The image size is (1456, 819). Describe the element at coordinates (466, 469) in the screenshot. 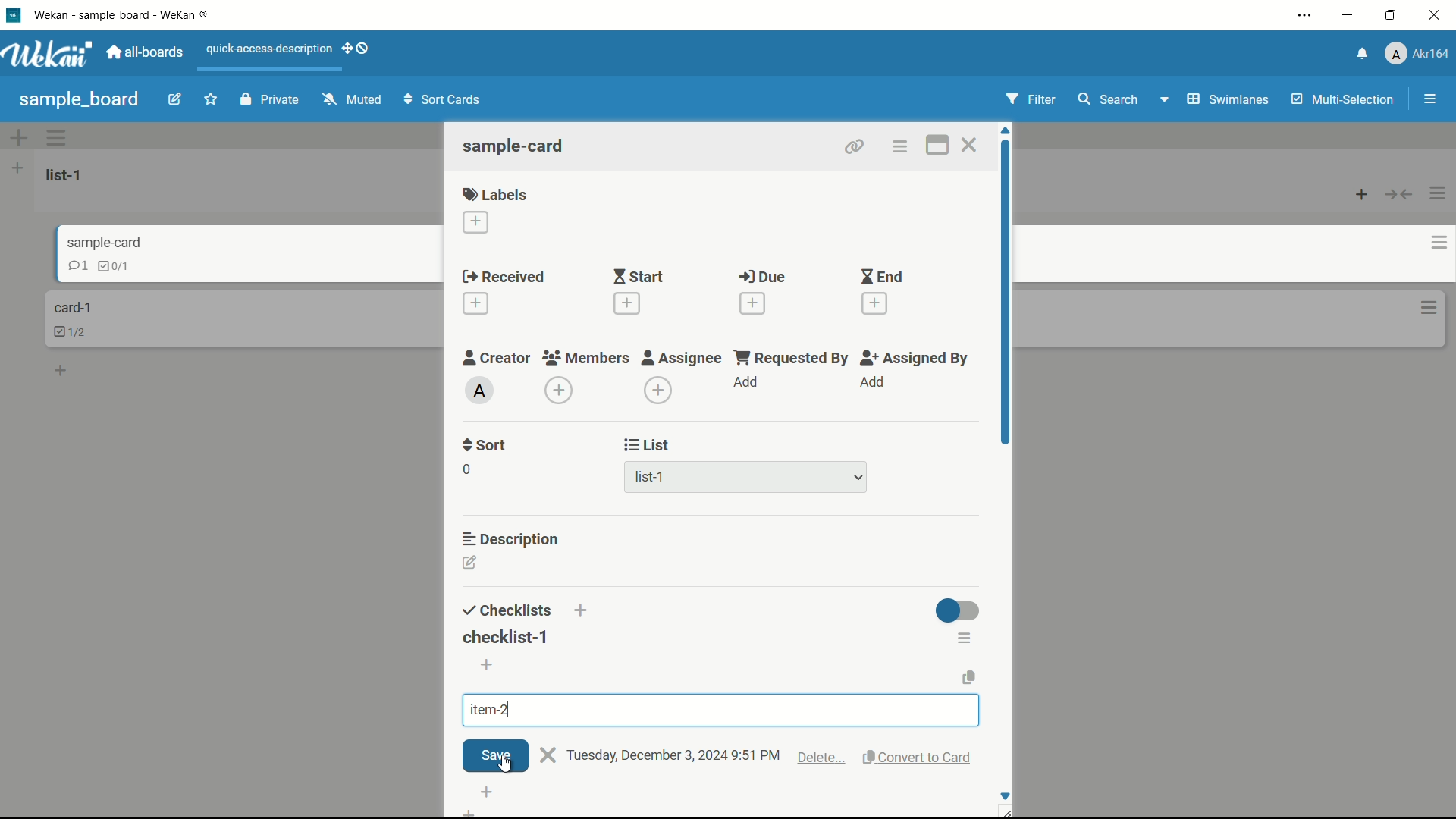

I see `0` at that location.